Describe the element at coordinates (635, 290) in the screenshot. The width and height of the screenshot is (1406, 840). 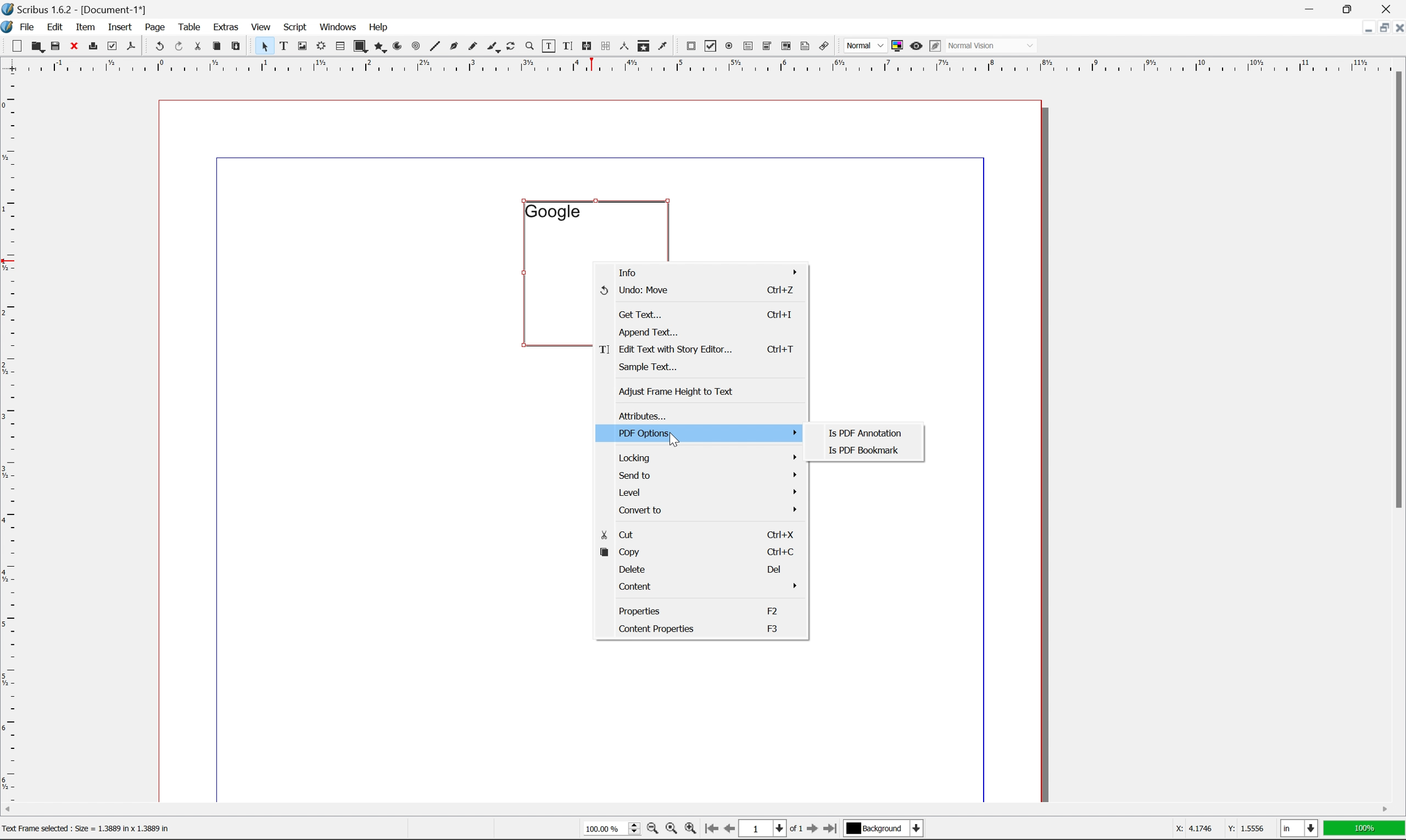
I see `Undo: move` at that location.